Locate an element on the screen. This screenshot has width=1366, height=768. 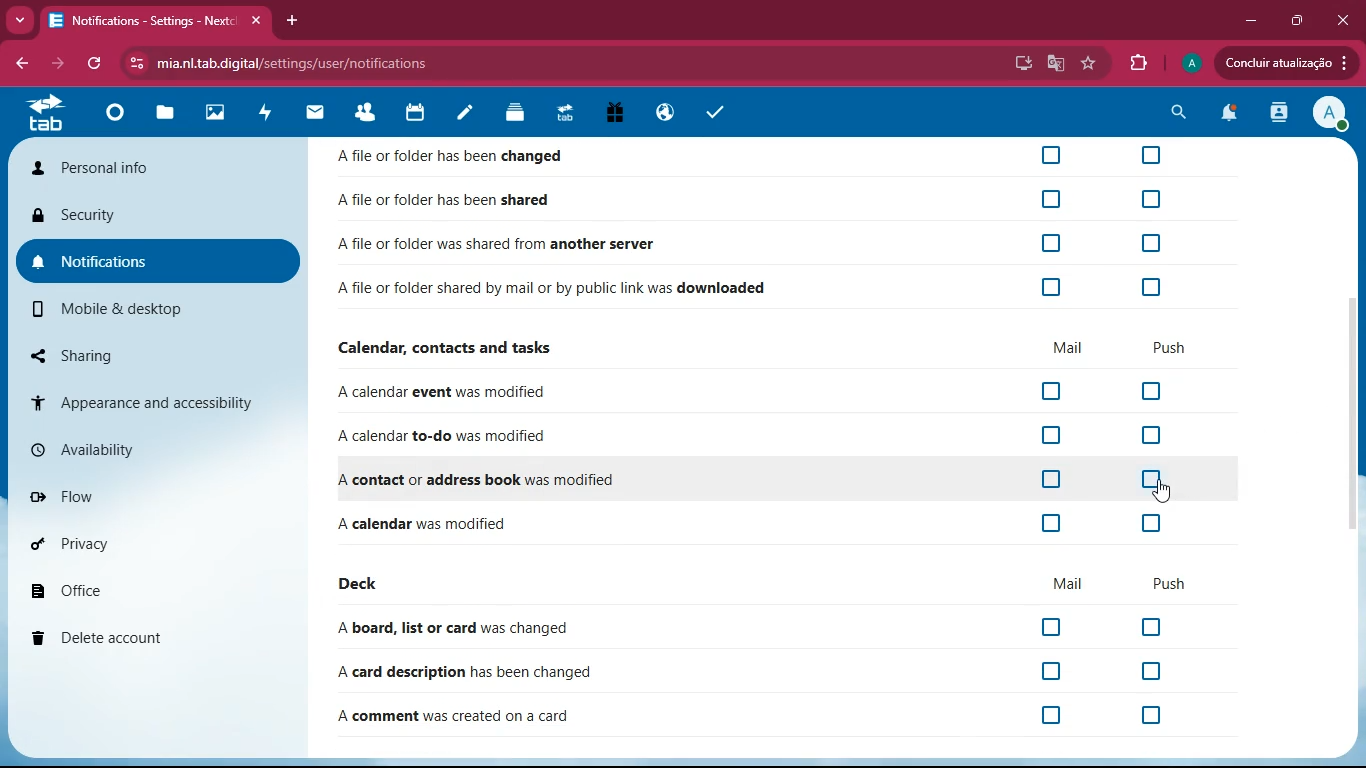
desktop is located at coordinates (1019, 63).